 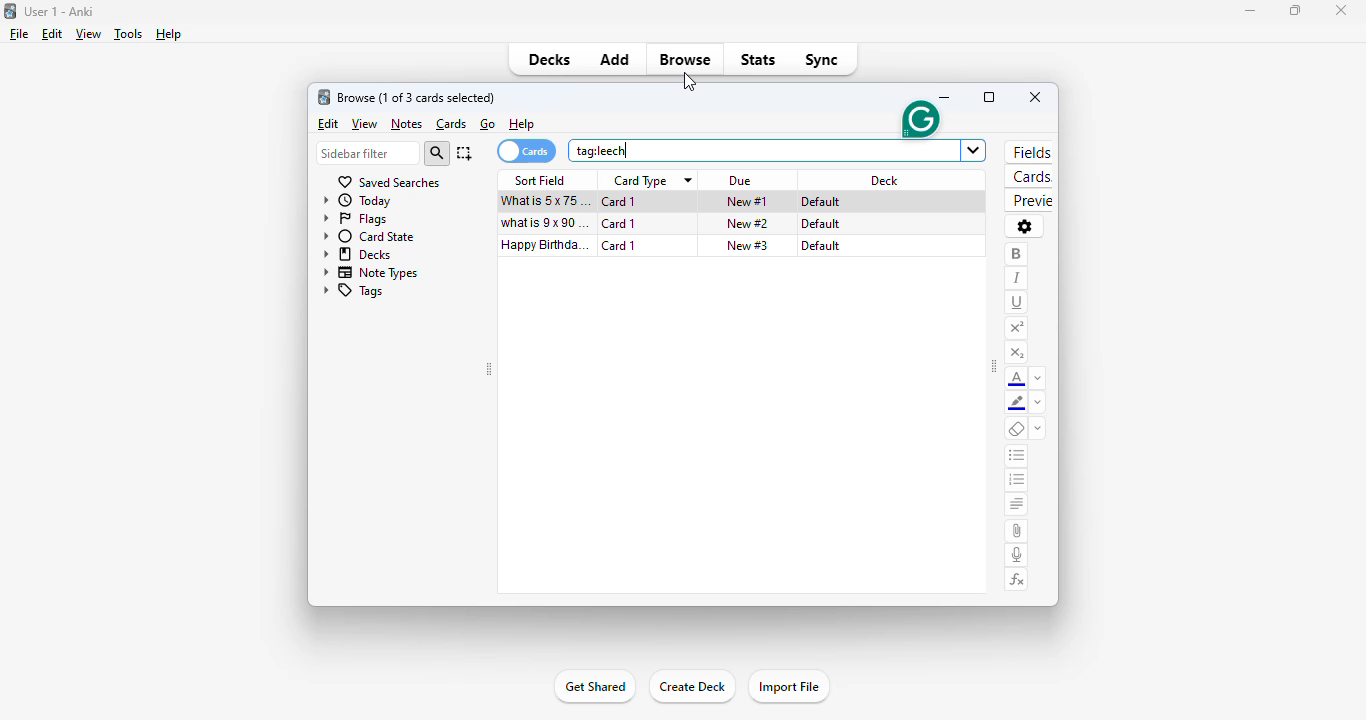 What do you see at coordinates (1025, 228) in the screenshot?
I see `options` at bounding box center [1025, 228].